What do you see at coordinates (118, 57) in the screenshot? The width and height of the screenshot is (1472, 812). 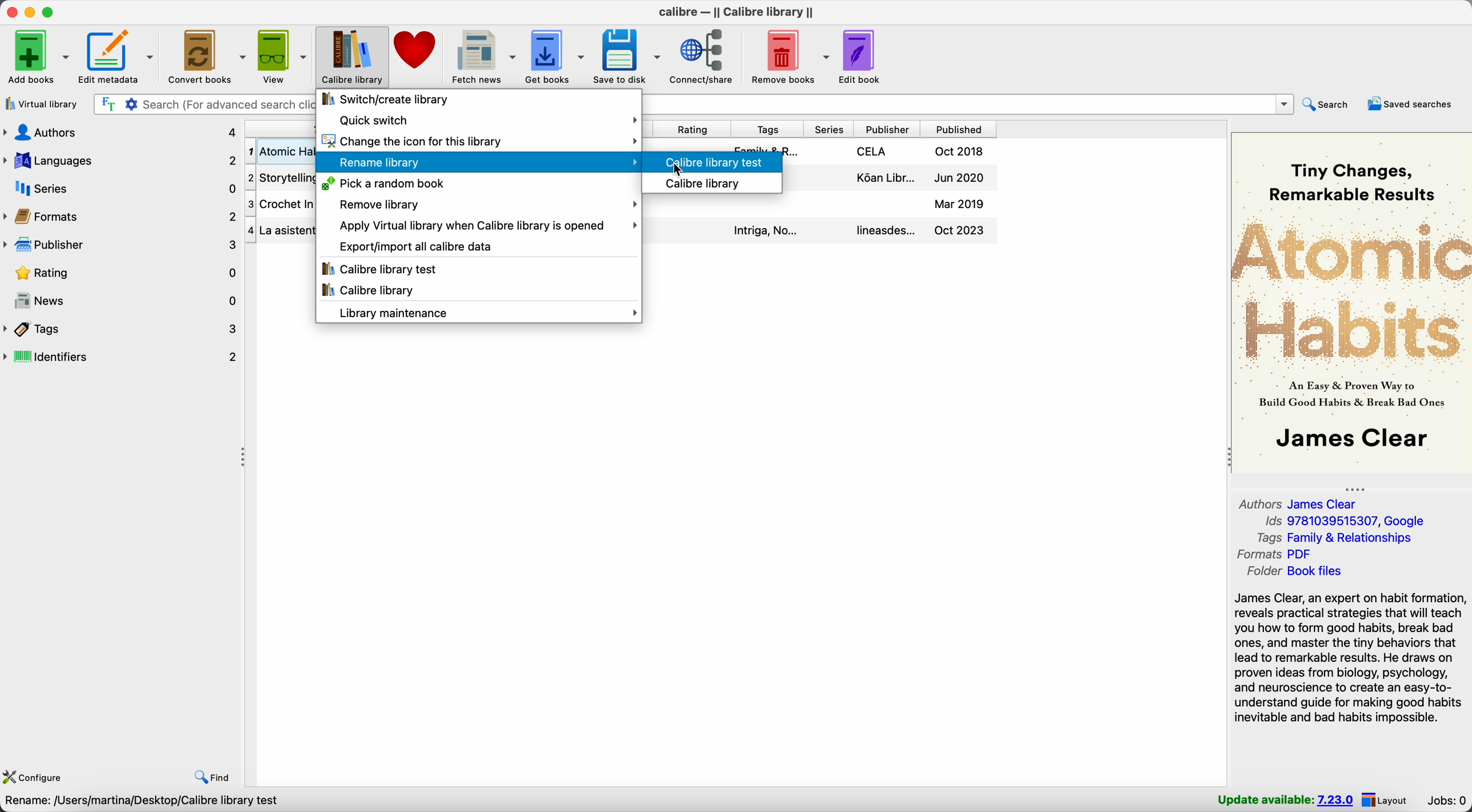 I see `edit metadata` at bounding box center [118, 57].